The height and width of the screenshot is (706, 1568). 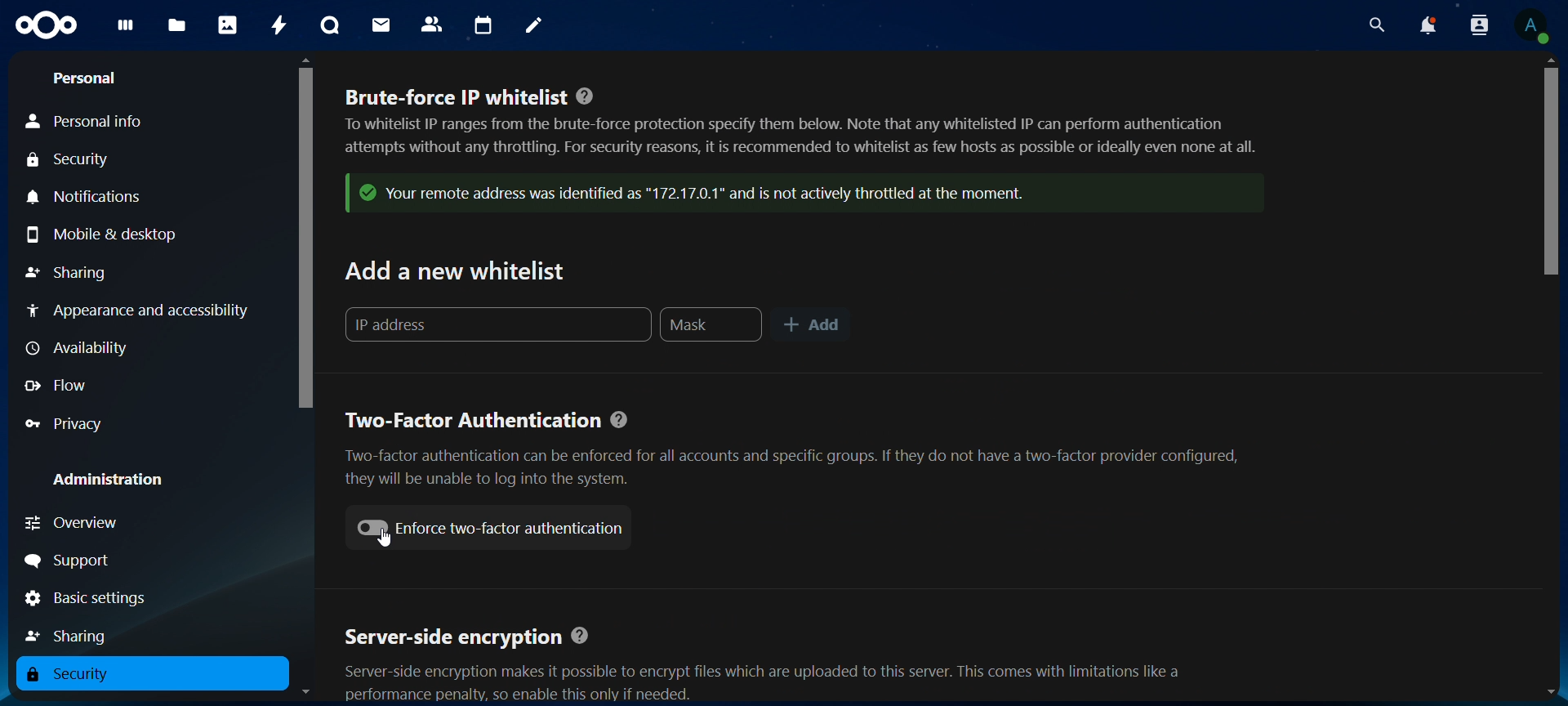 I want to click on icon, so click(x=46, y=25).